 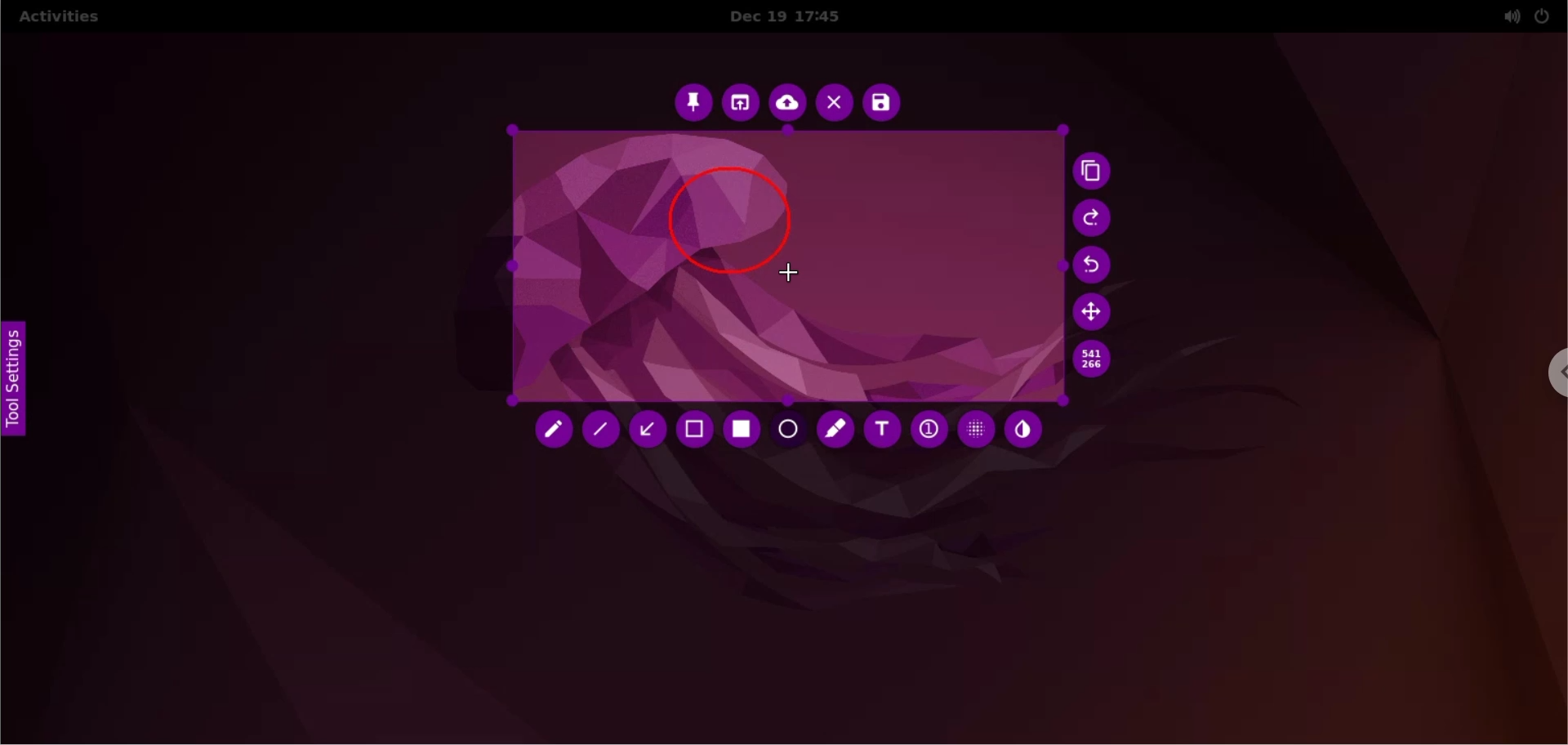 I want to click on rectangle tool, so click(x=744, y=430).